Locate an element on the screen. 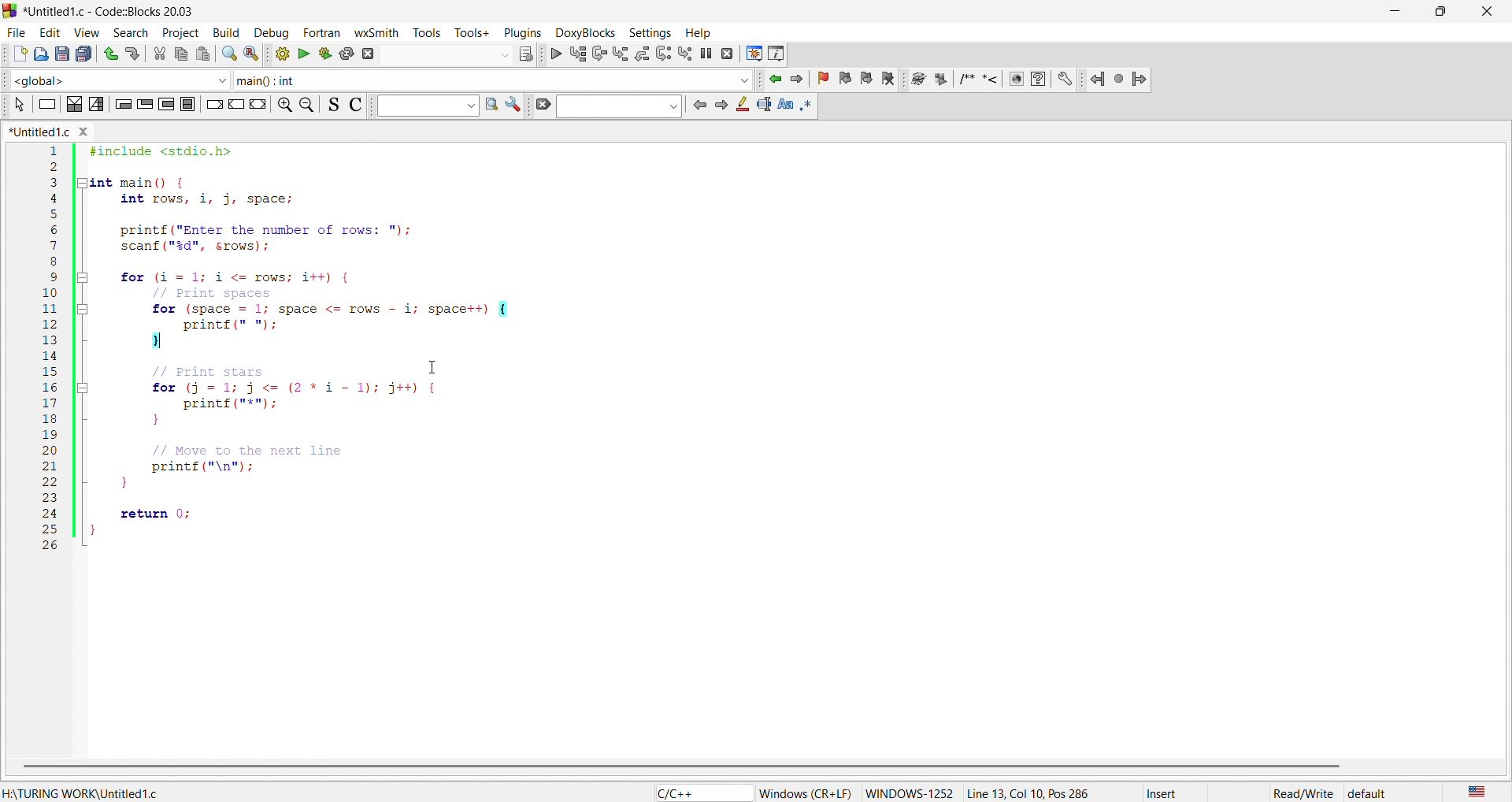 This screenshot has height=802, width=1512. insert is located at coordinates (1164, 793).